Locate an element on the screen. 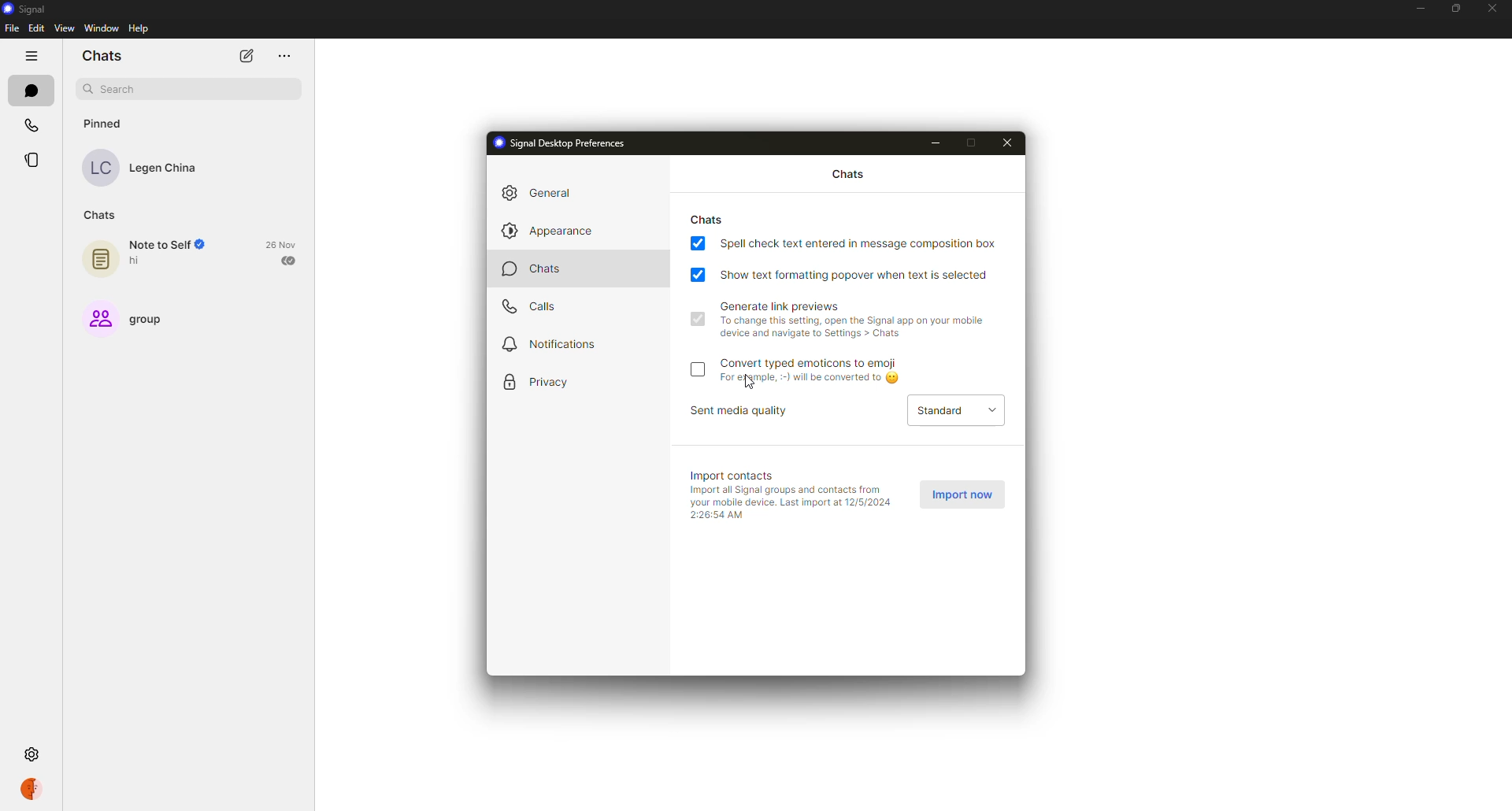 The height and width of the screenshot is (811, 1512). date is located at coordinates (281, 245).